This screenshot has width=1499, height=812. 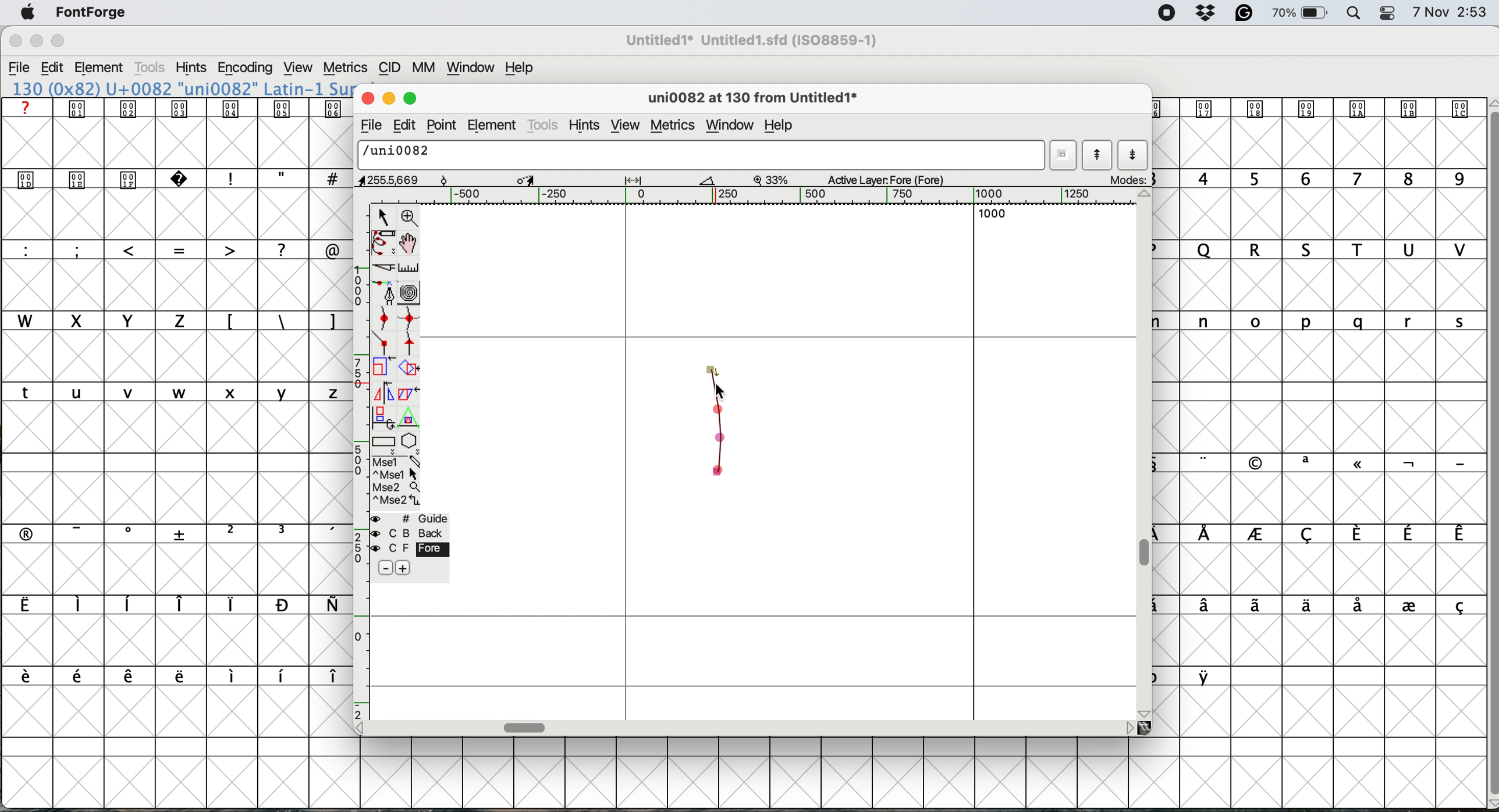 I want to click on add a comer point, so click(x=385, y=345).